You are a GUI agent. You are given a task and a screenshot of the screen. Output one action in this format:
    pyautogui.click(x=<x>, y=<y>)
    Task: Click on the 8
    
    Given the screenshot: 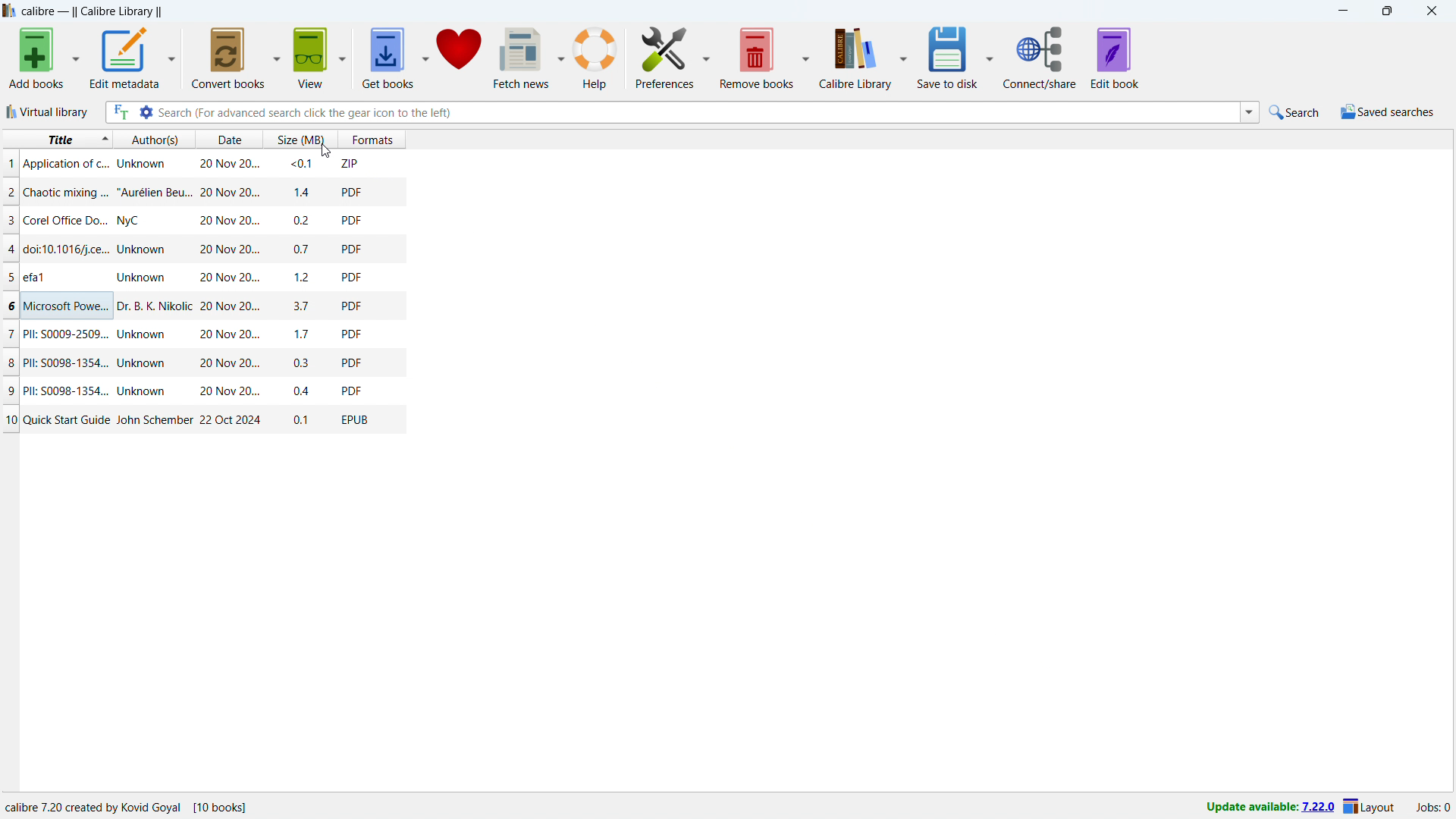 What is the action you would take?
    pyautogui.click(x=9, y=362)
    